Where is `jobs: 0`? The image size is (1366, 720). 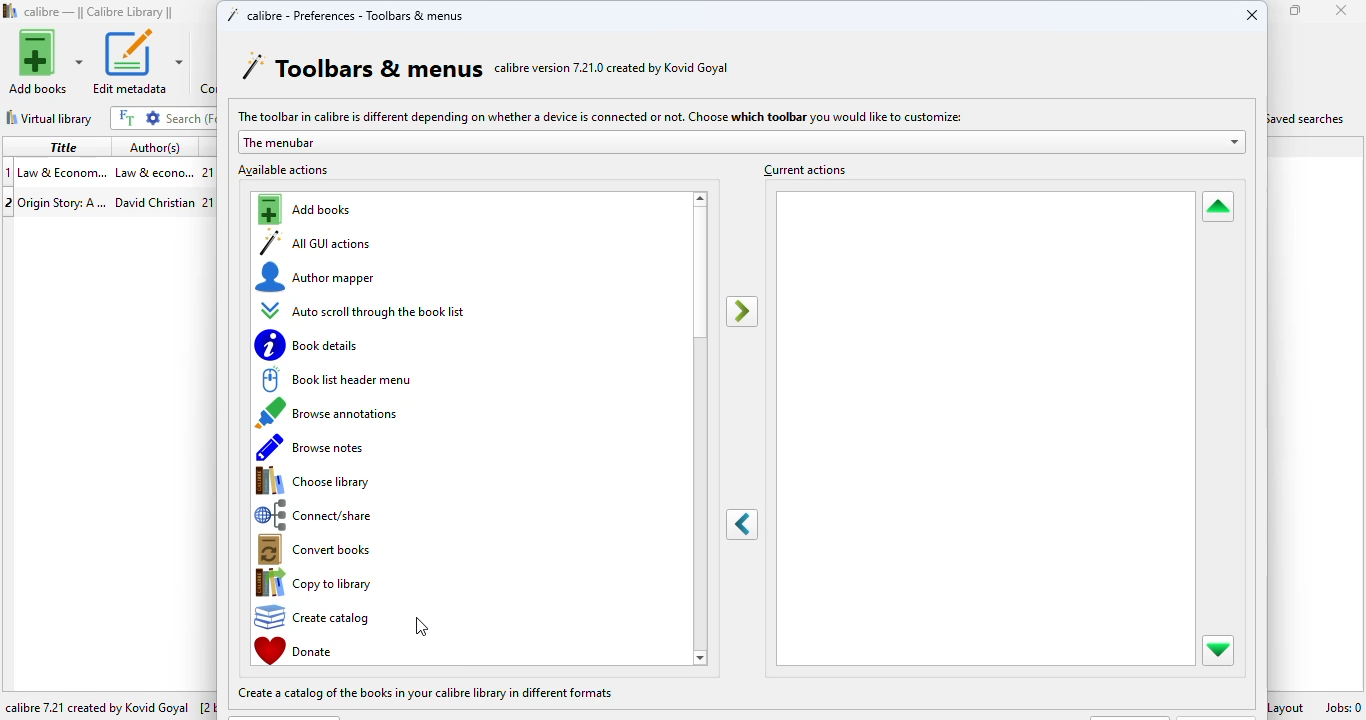 jobs: 0 is located at coordinates (1343, 707).